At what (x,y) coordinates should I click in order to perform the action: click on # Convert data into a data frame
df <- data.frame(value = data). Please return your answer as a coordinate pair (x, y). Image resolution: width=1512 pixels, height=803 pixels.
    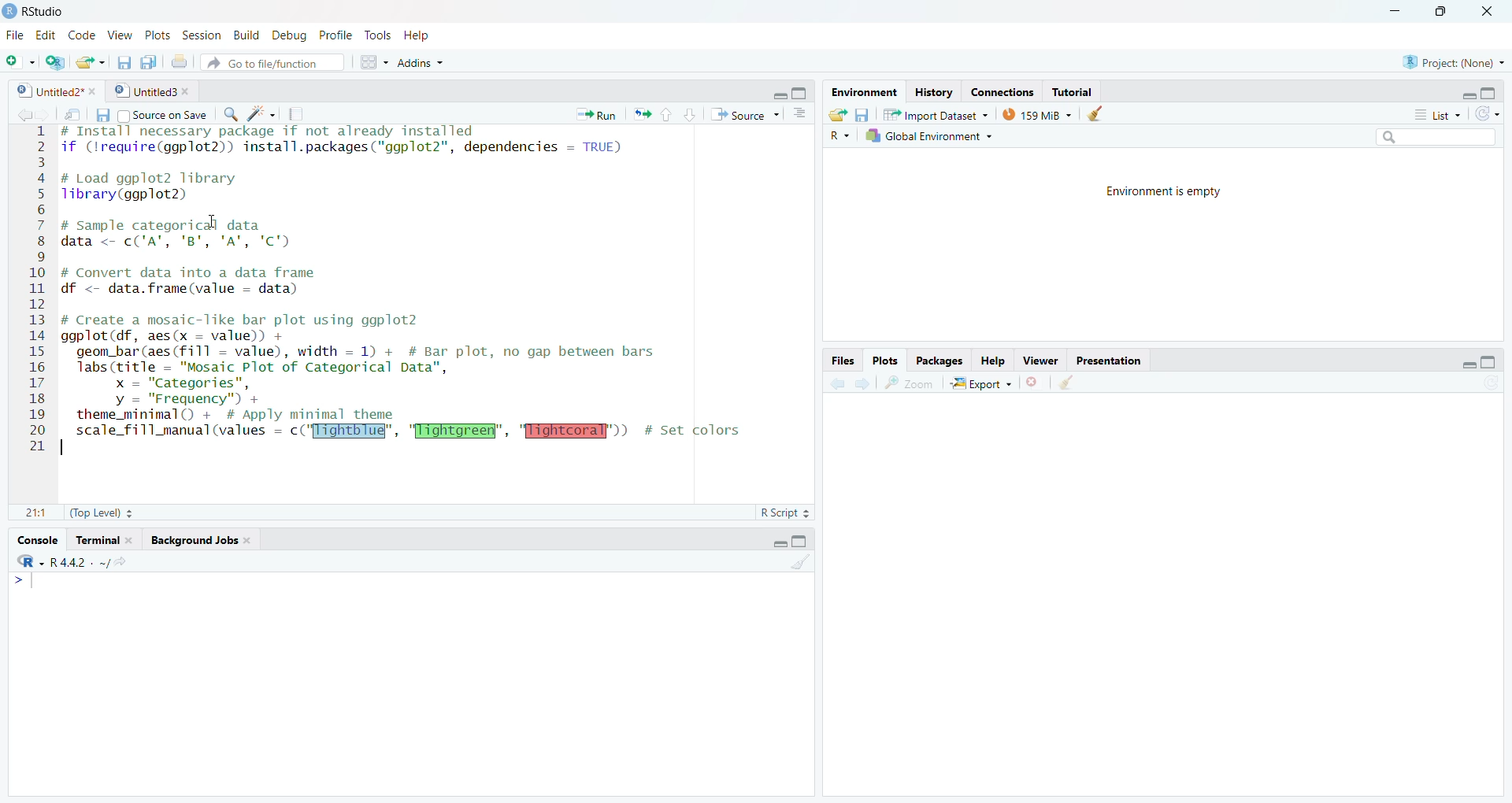
    Looking at the image, I should click on (196, 281).